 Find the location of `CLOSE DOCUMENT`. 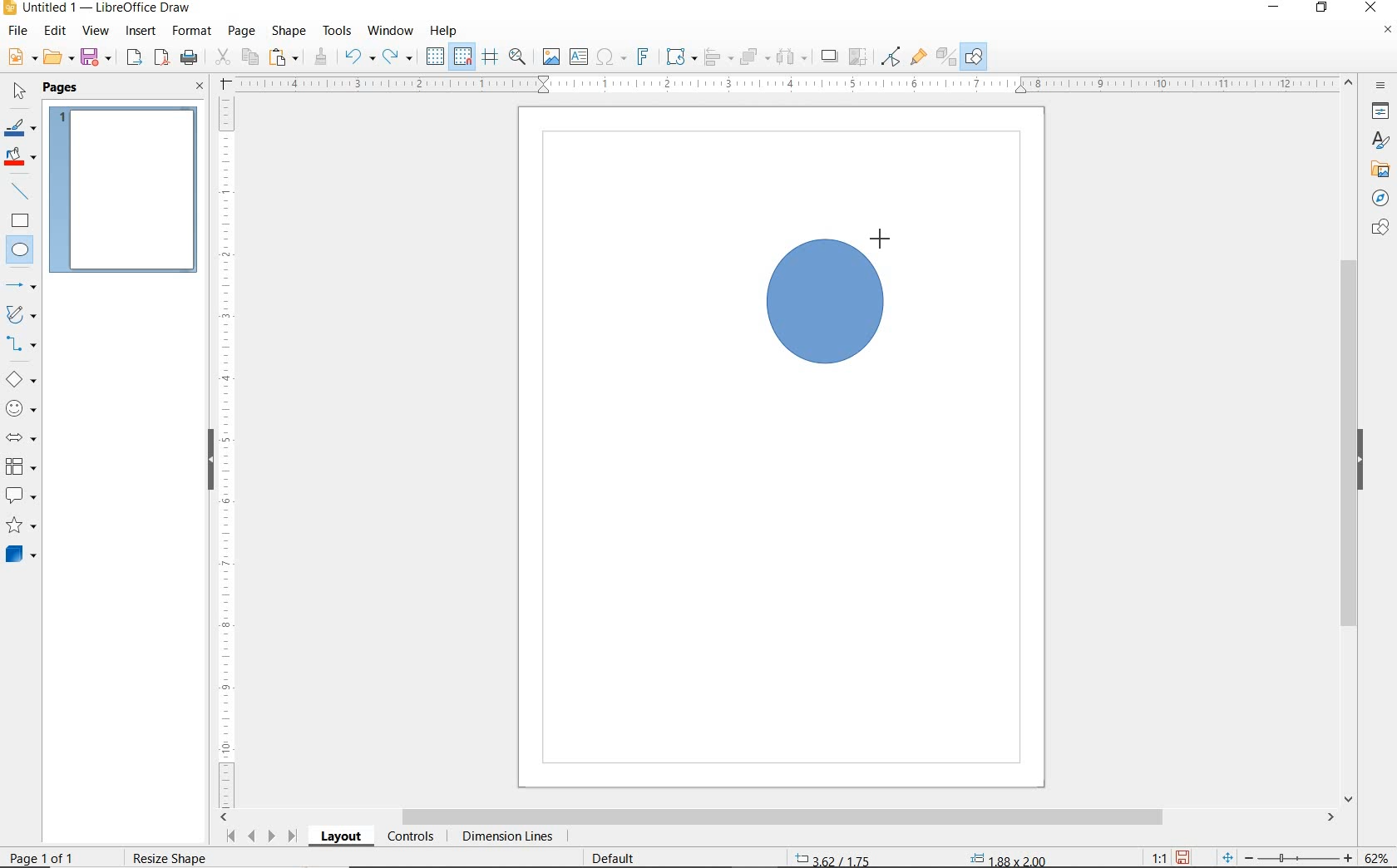

CLOSE DOCUMENT is located at coordinates (1387, 32).